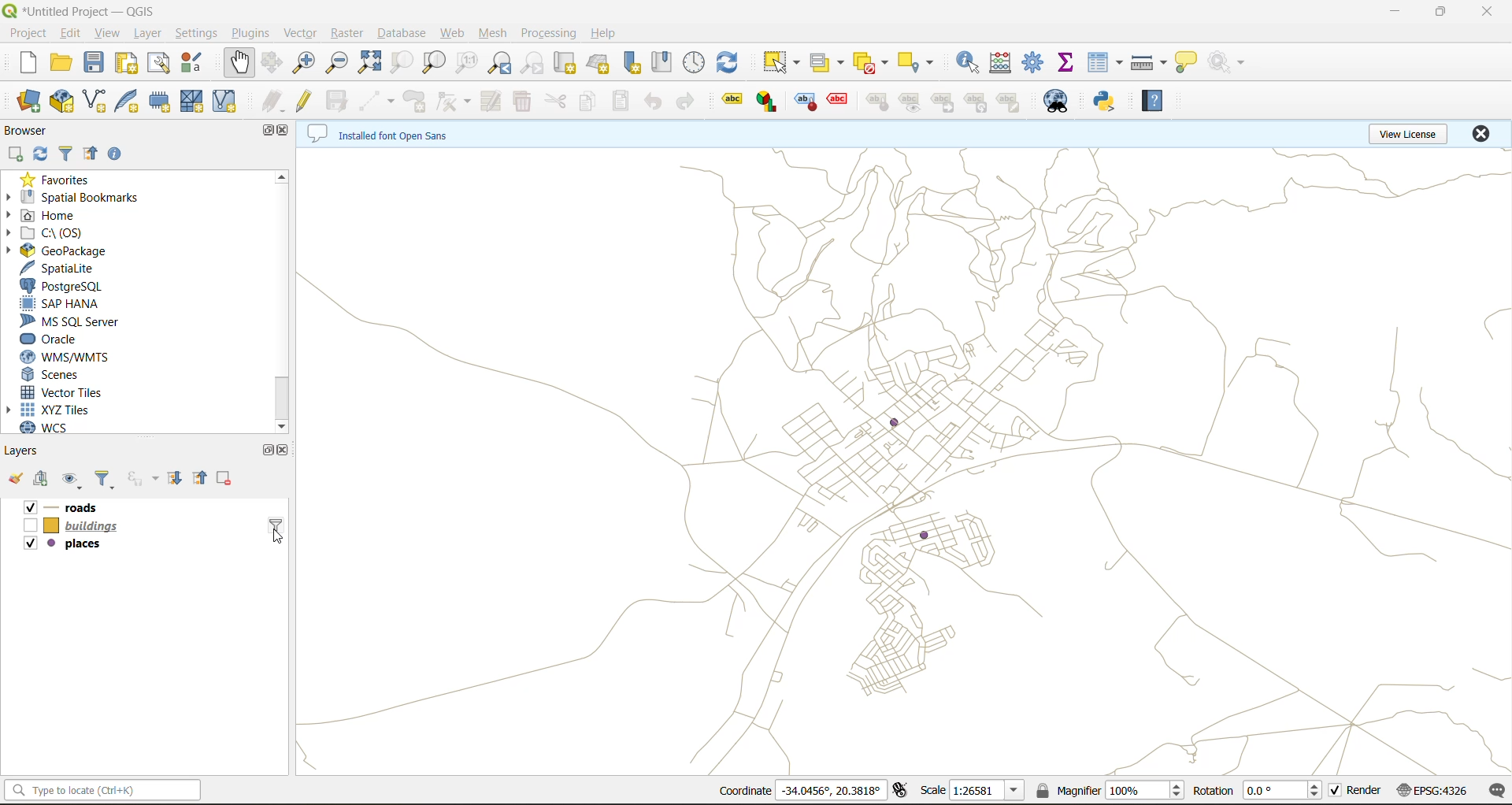 The width and height of the screenshot is (1512, 805). I want to click on maximize, so click(1441, 13).